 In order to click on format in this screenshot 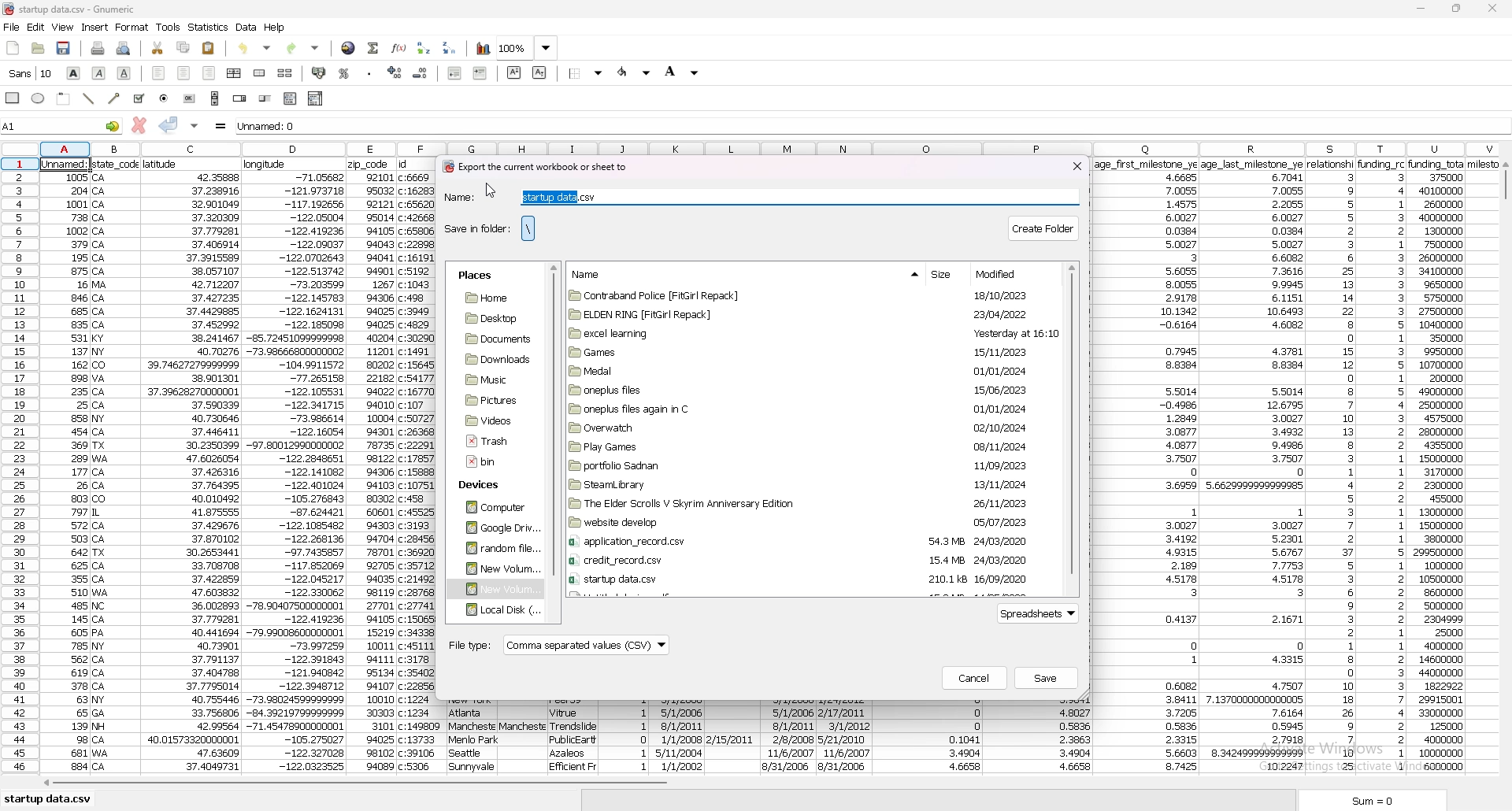, I will do `click(133, 28)`.